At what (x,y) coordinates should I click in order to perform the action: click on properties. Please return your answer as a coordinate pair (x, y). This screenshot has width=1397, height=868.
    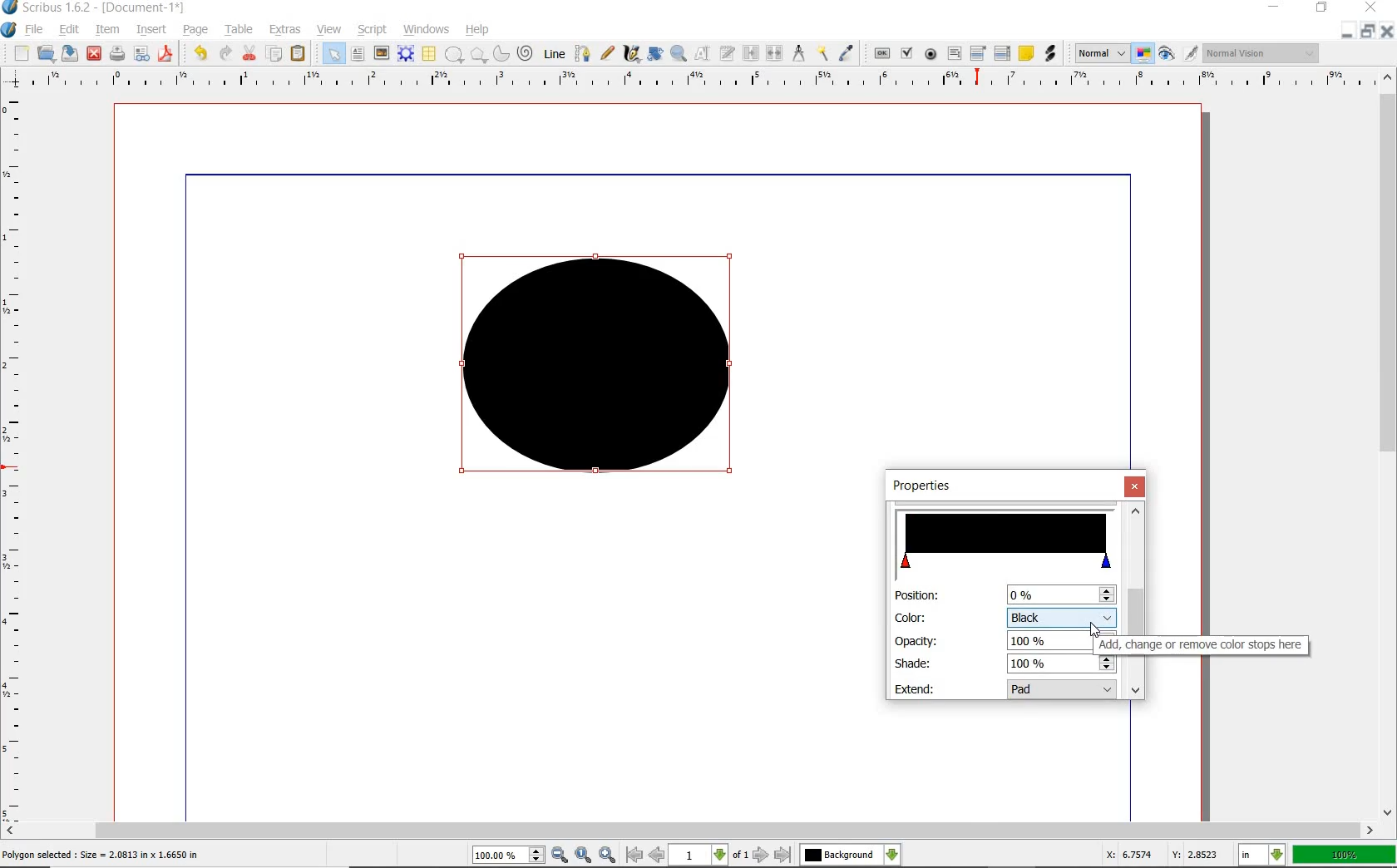
    Looking at the image, I should click on (938, 486).